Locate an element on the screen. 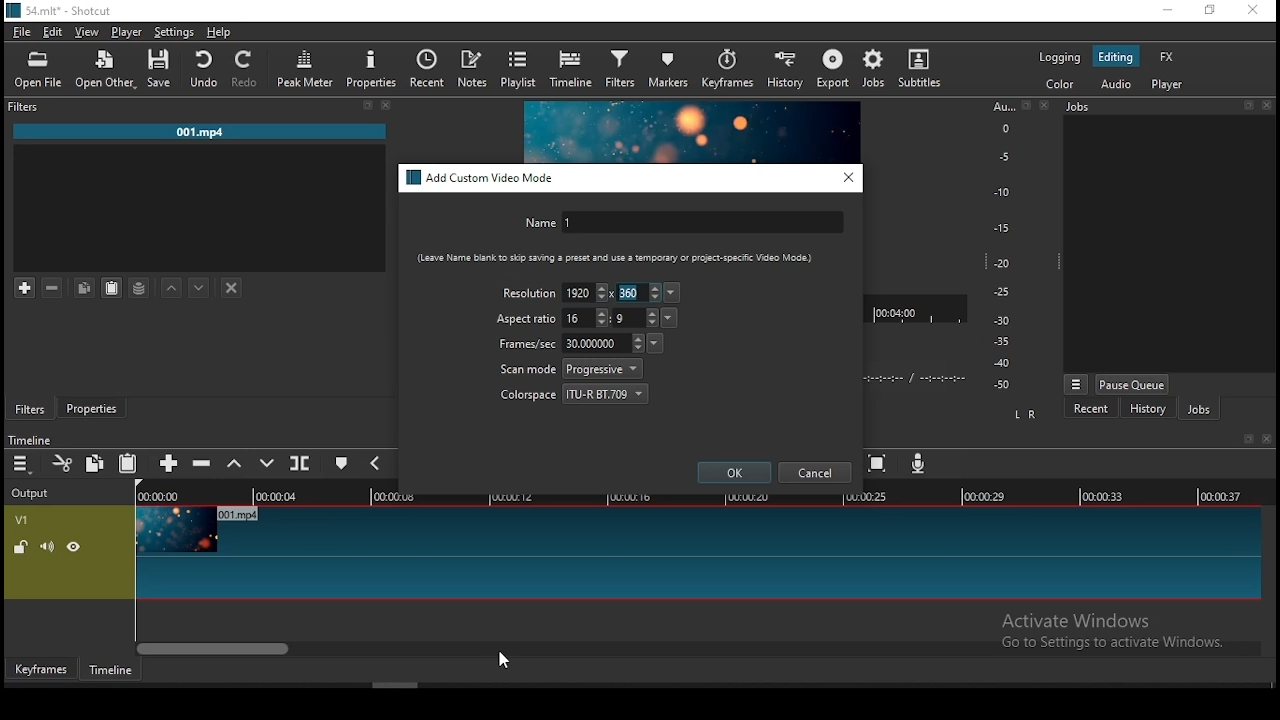 Image resolution: width=1280 pixels, height=720 pixels. -50 is located at coordinates (1002, 385).